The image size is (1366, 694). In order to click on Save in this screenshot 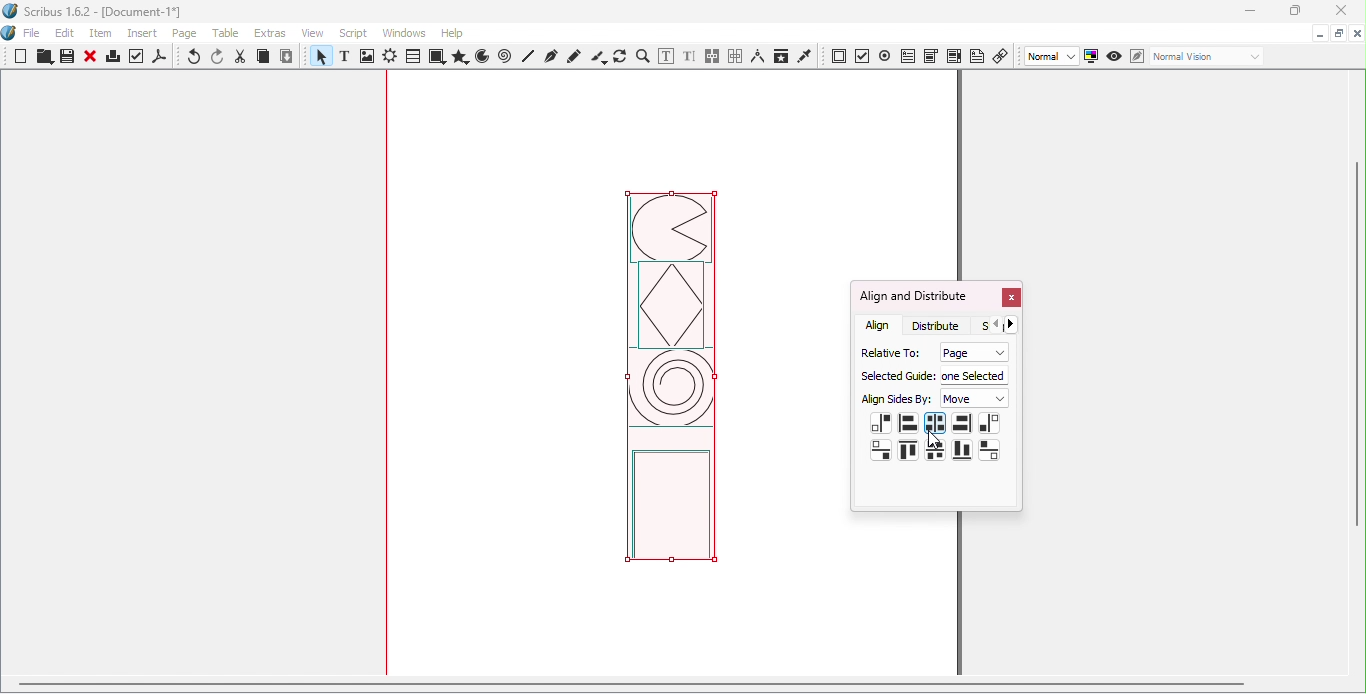, I will do `click(65, 57)`.